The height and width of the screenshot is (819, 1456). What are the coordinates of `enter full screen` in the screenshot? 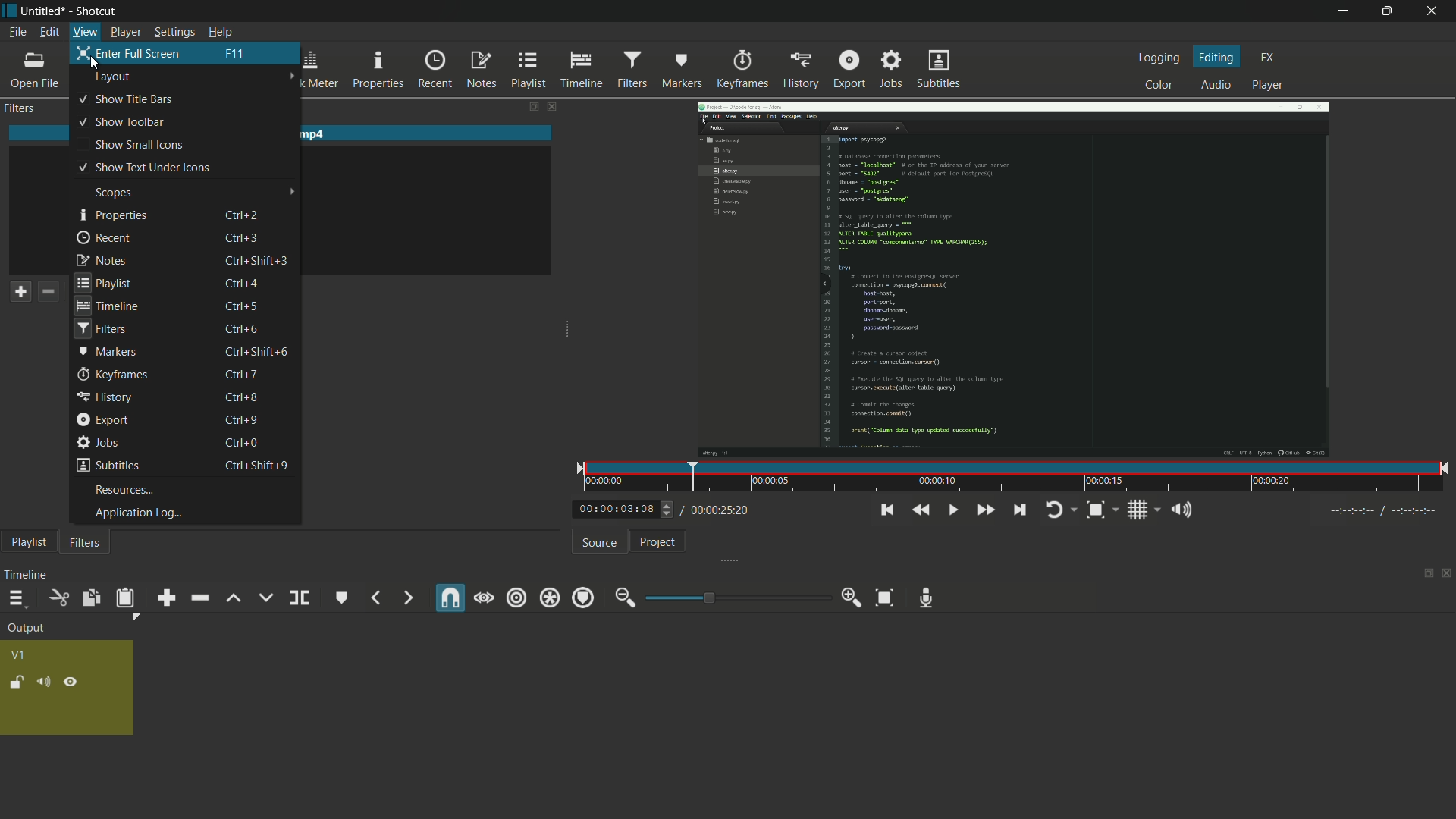 It's located at (129, 52).